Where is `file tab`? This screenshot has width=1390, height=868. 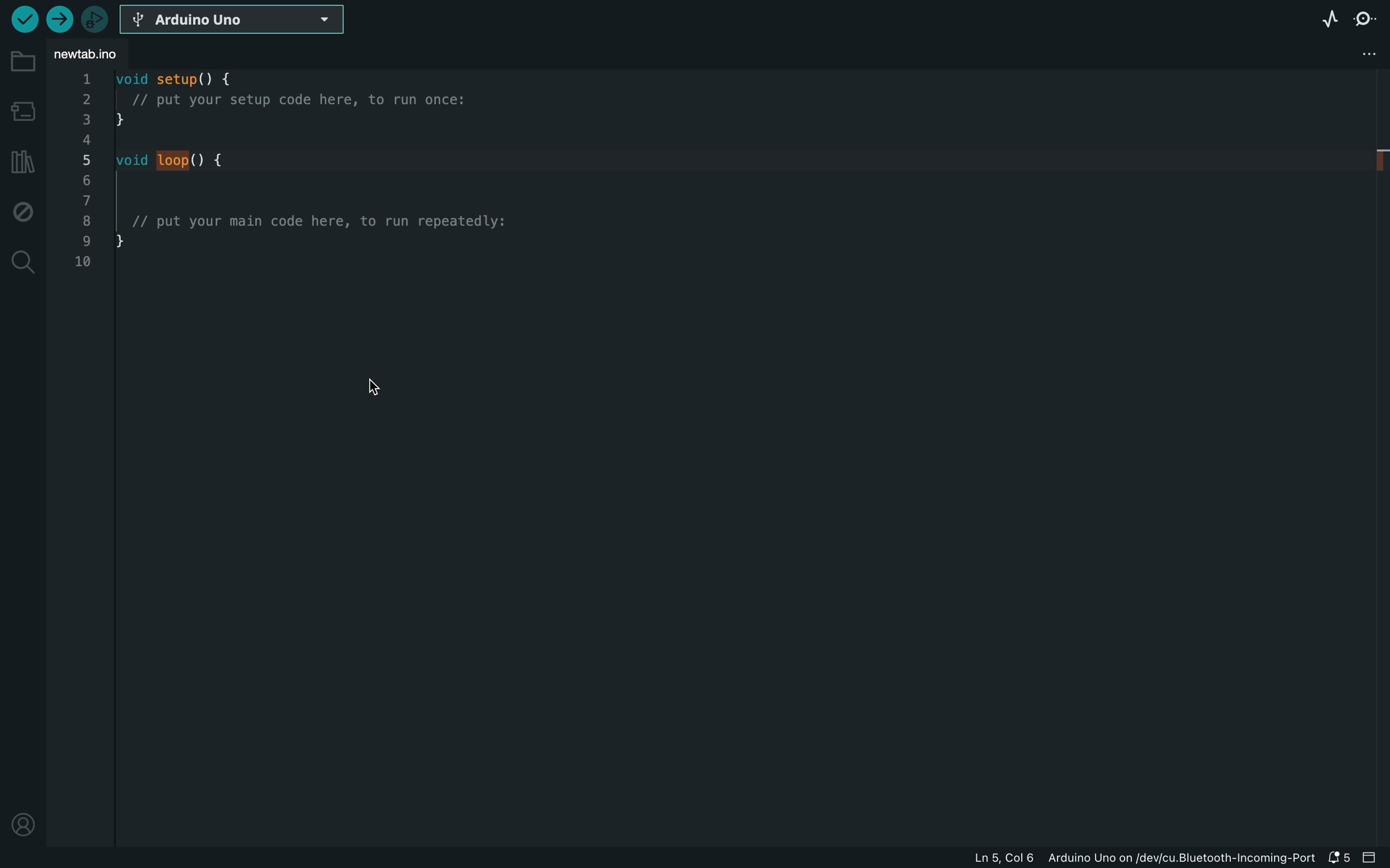
file tab is located at coordinates (98, 55).